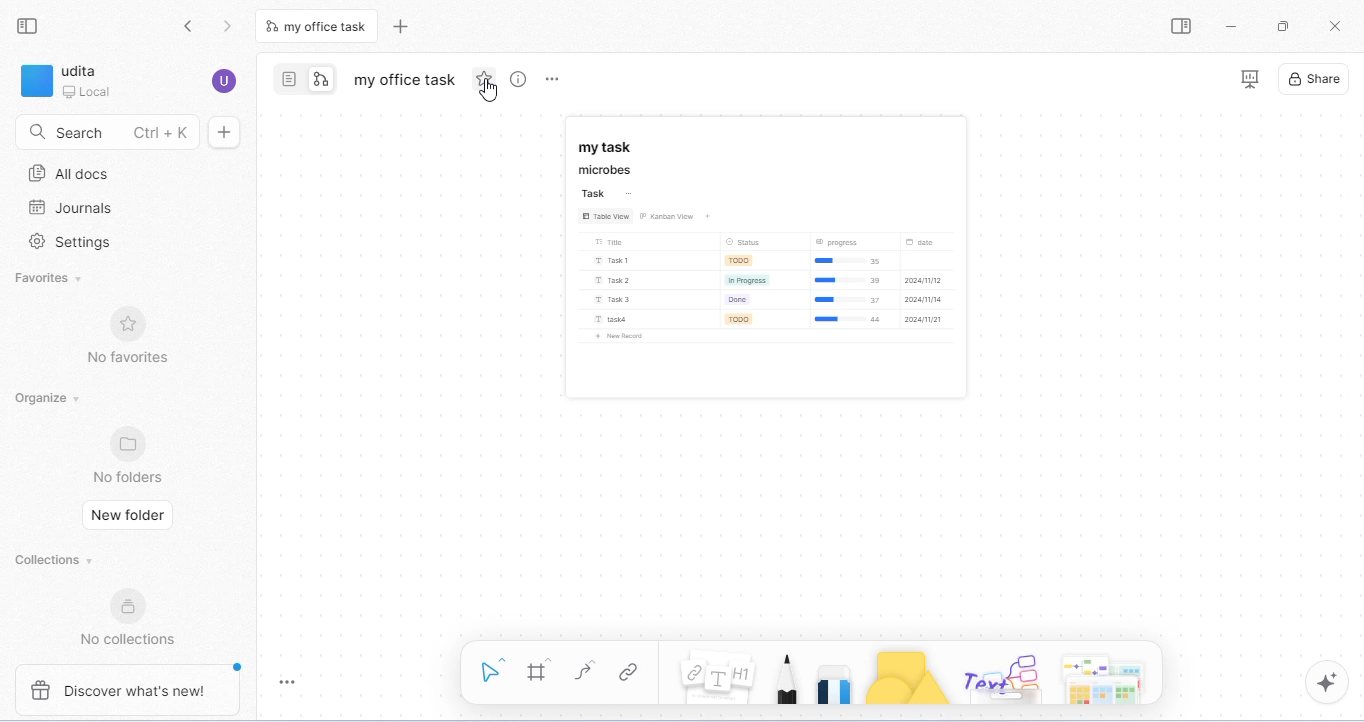 This screenshot has height=722, width=1364. I want to click on search, so click(106, 133).